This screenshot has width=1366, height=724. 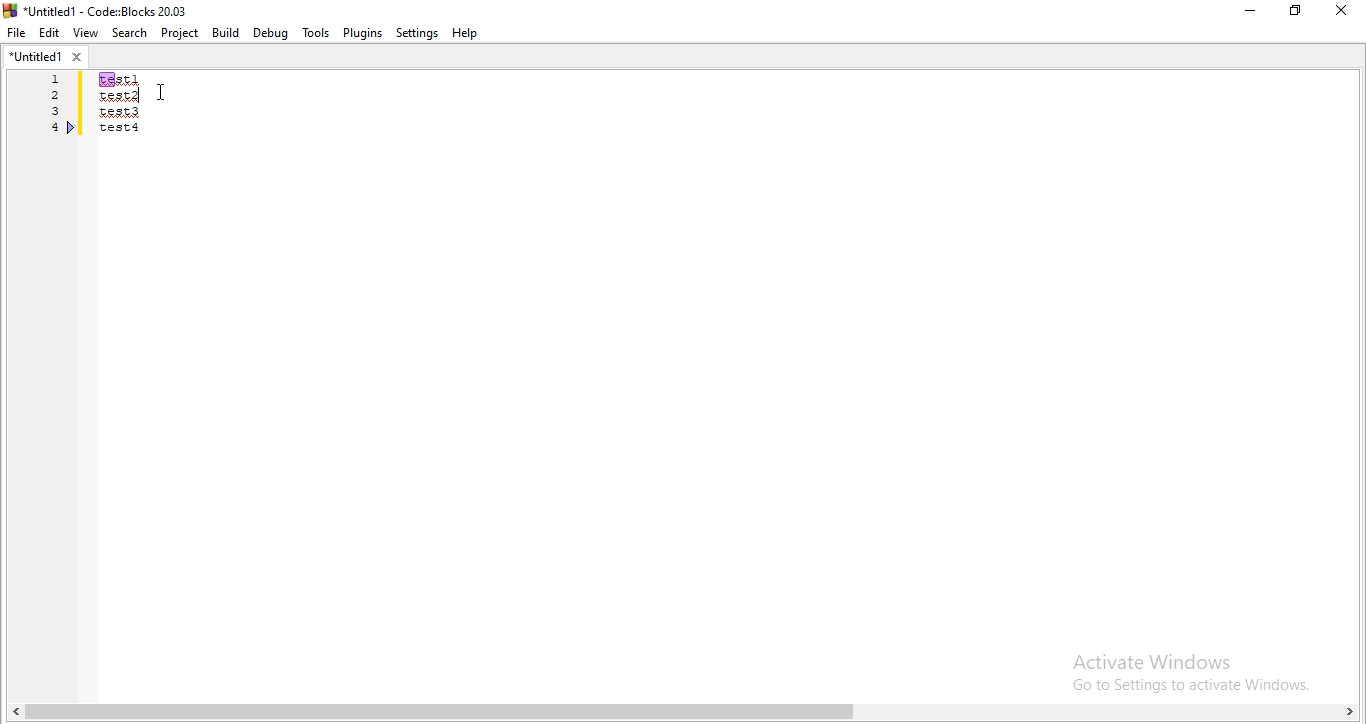 I want to click on Maximize, so click(x=1299, y=13).